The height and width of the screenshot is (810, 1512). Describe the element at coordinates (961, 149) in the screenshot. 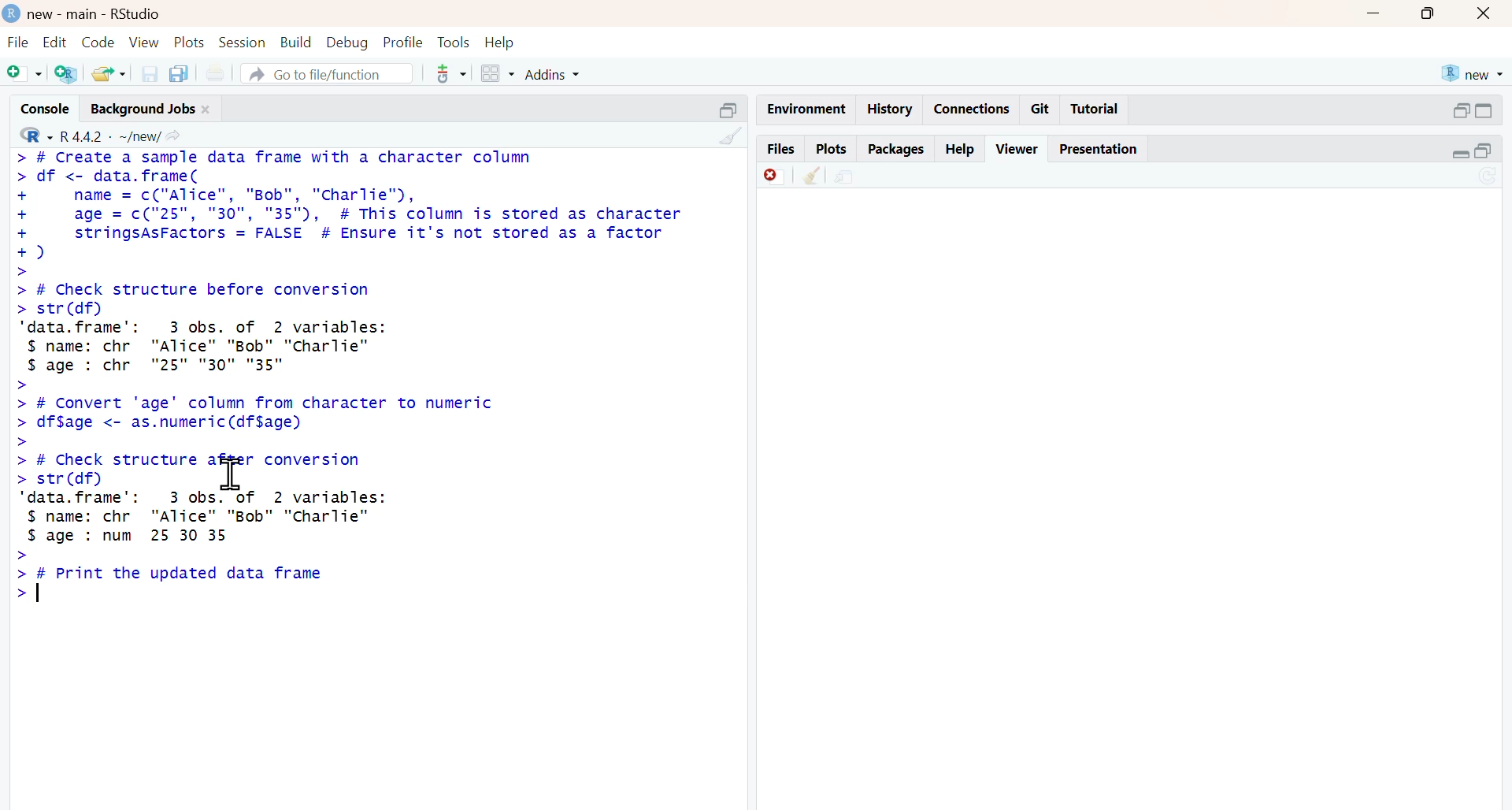

I see `help` at that location.